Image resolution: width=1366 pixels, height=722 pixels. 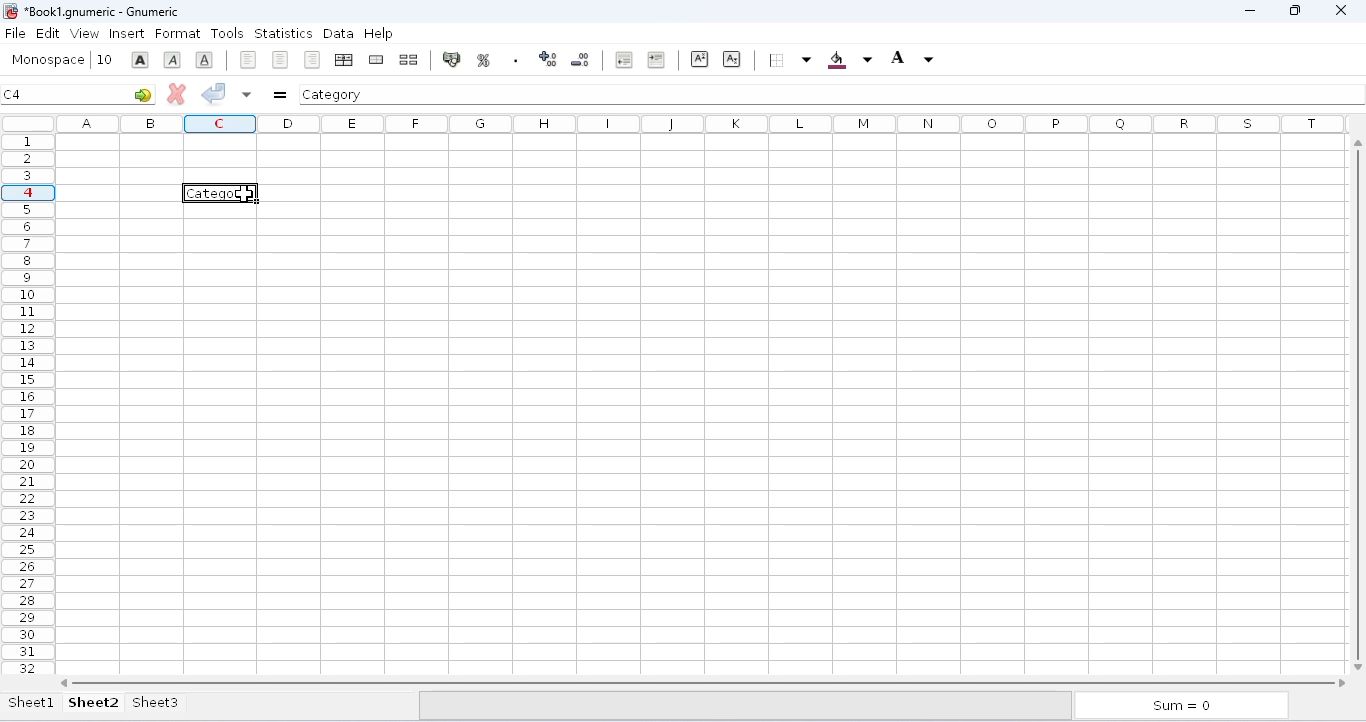 What do you see at coordinates (13, 94) in the screenshot?
I see `C4` at bounding box center [13, 94].